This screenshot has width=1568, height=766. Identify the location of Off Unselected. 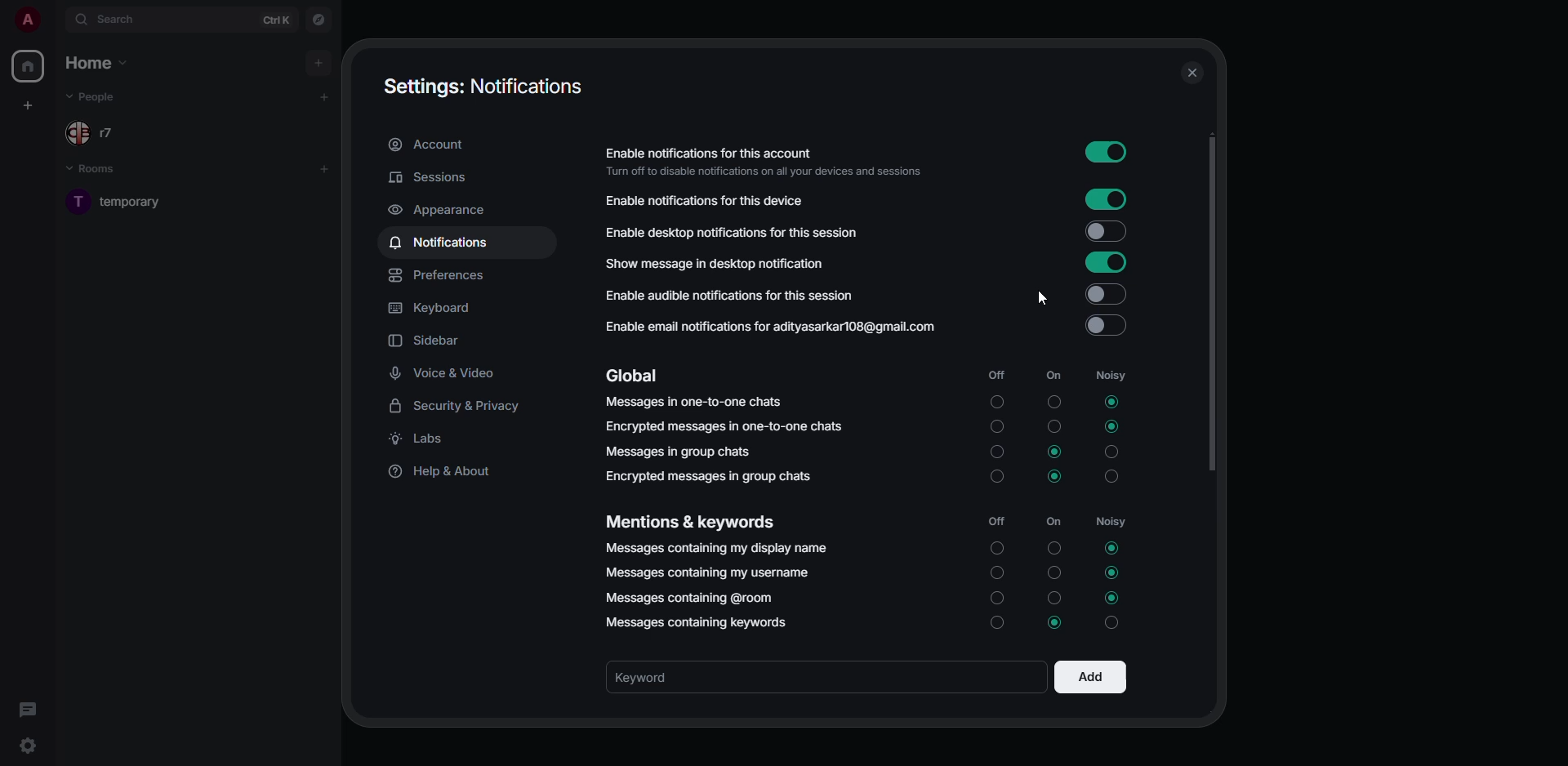
(998, 479).